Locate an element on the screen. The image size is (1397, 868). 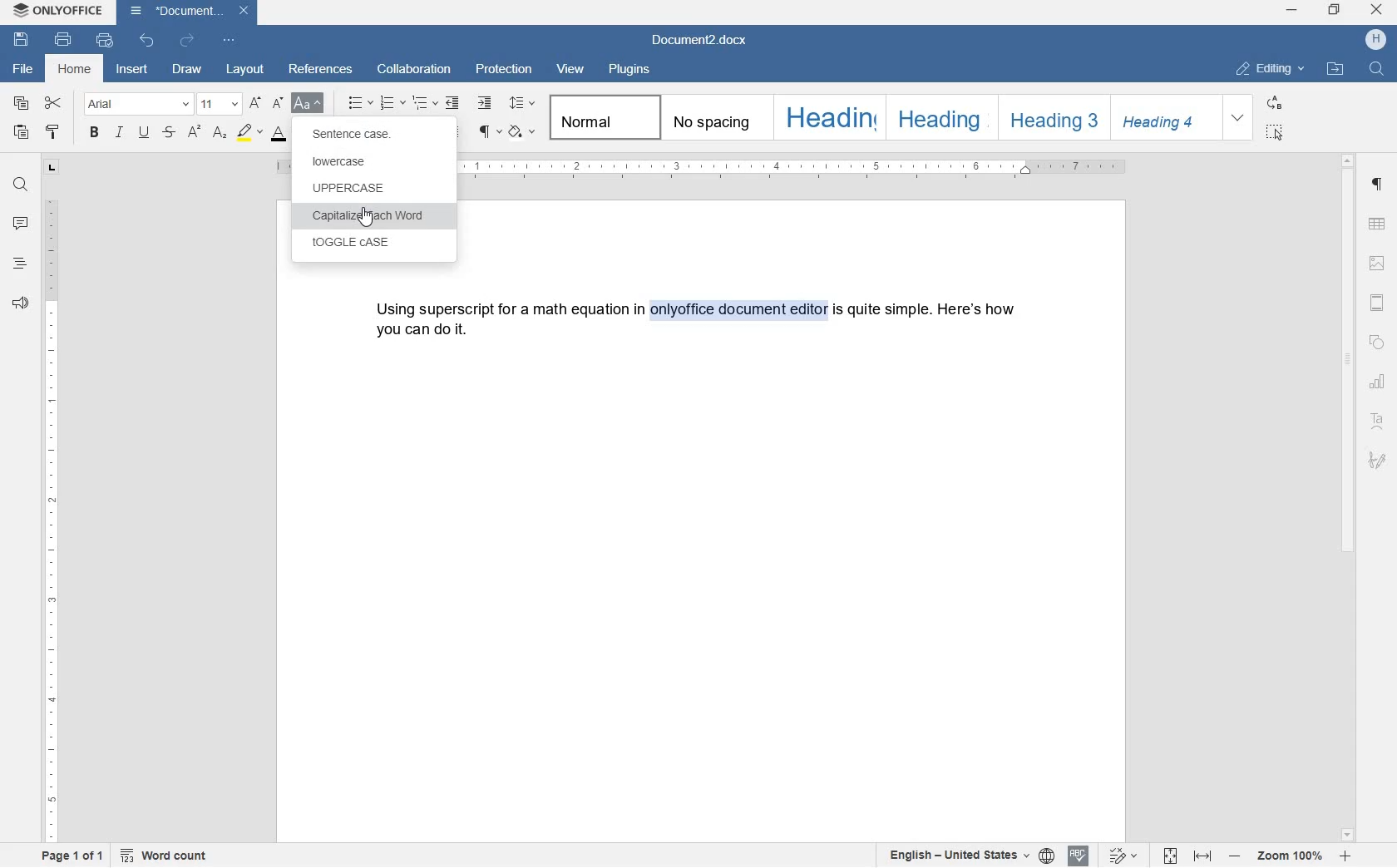
cut is located at coordinates (54, 102).